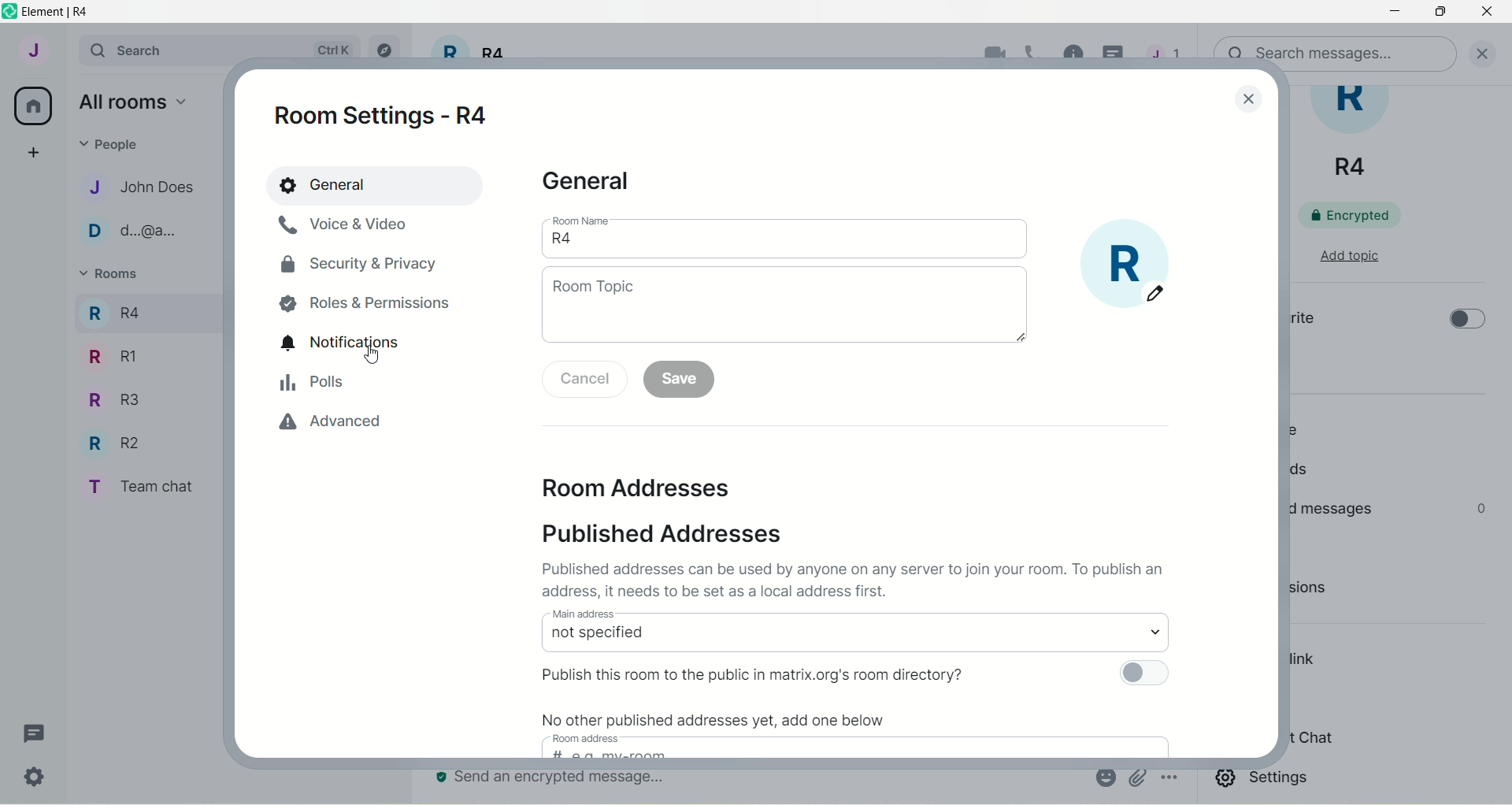 The image size is (1512, 805). I want to click on create a space, so click(32, 151).